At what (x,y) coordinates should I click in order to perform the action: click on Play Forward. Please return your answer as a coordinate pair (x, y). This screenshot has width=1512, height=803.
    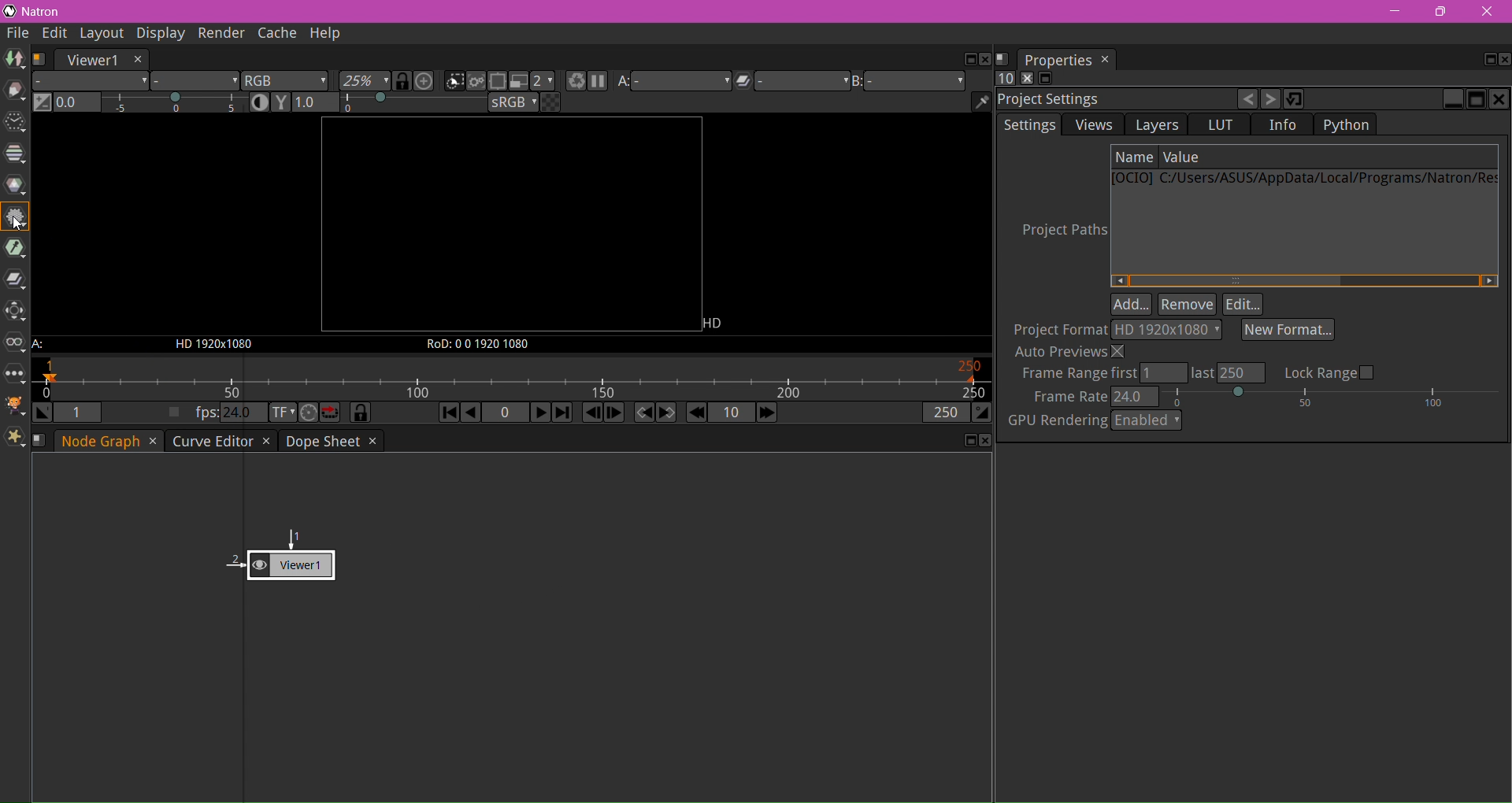
    Looking at the image, I should click on (539, 412).